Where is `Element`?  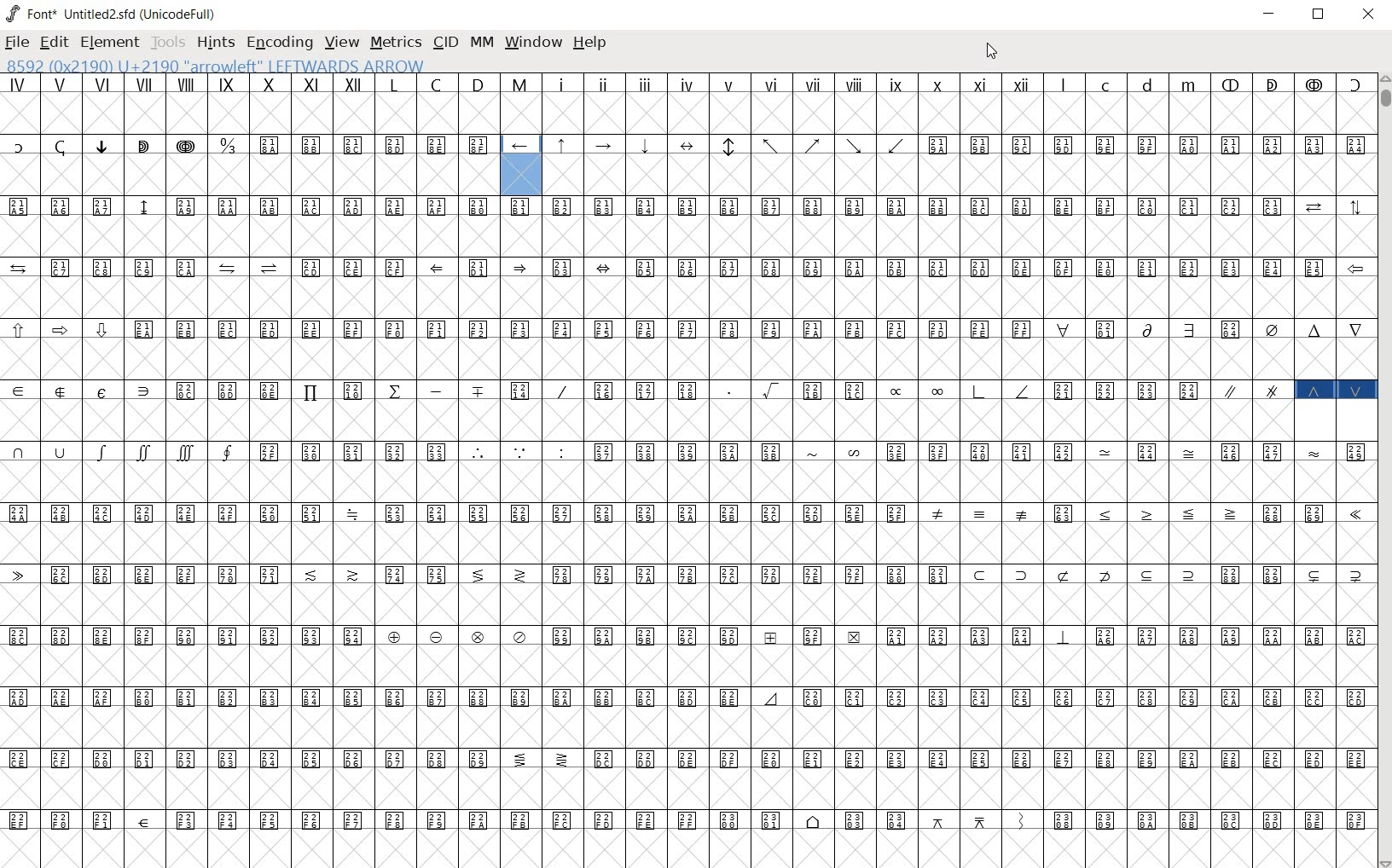 Element is located at coordinates (110, 43).